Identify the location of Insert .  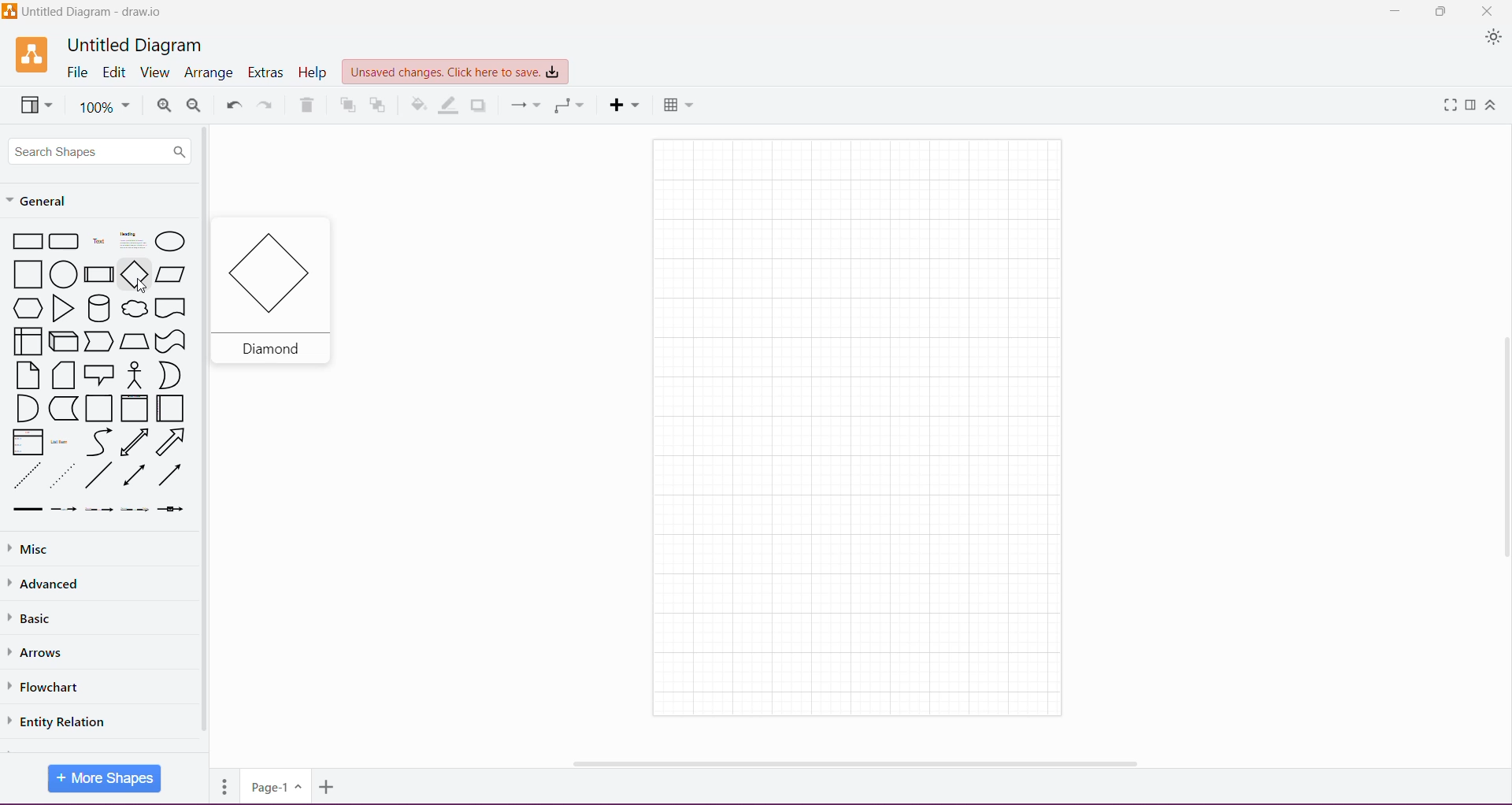
(624, 106).